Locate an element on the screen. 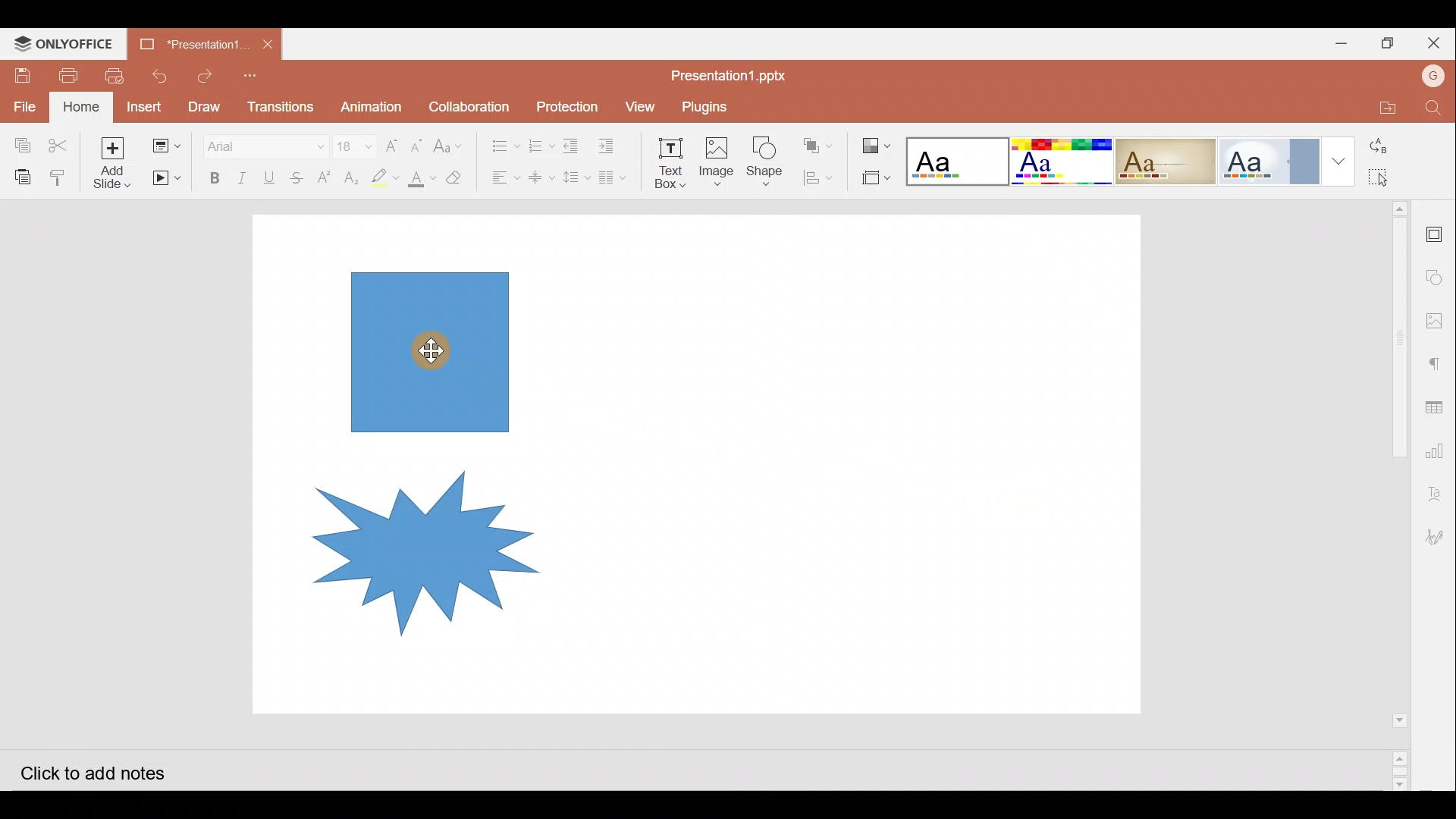 This screenshot has width=1456, height=819. Horizontal align is located at coordinates (501, 177).